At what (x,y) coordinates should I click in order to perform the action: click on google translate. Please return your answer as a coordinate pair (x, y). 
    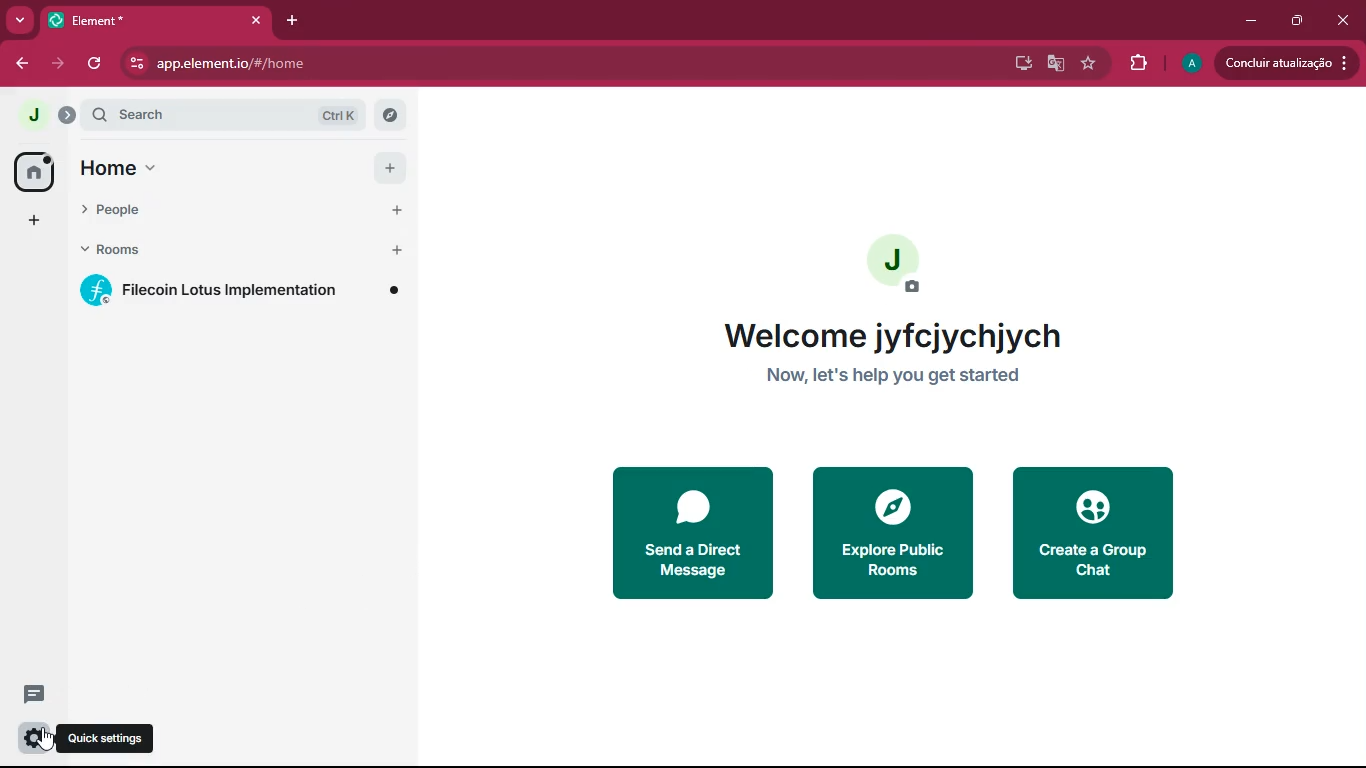
    Looking at the image, I should click on (1054, 64).